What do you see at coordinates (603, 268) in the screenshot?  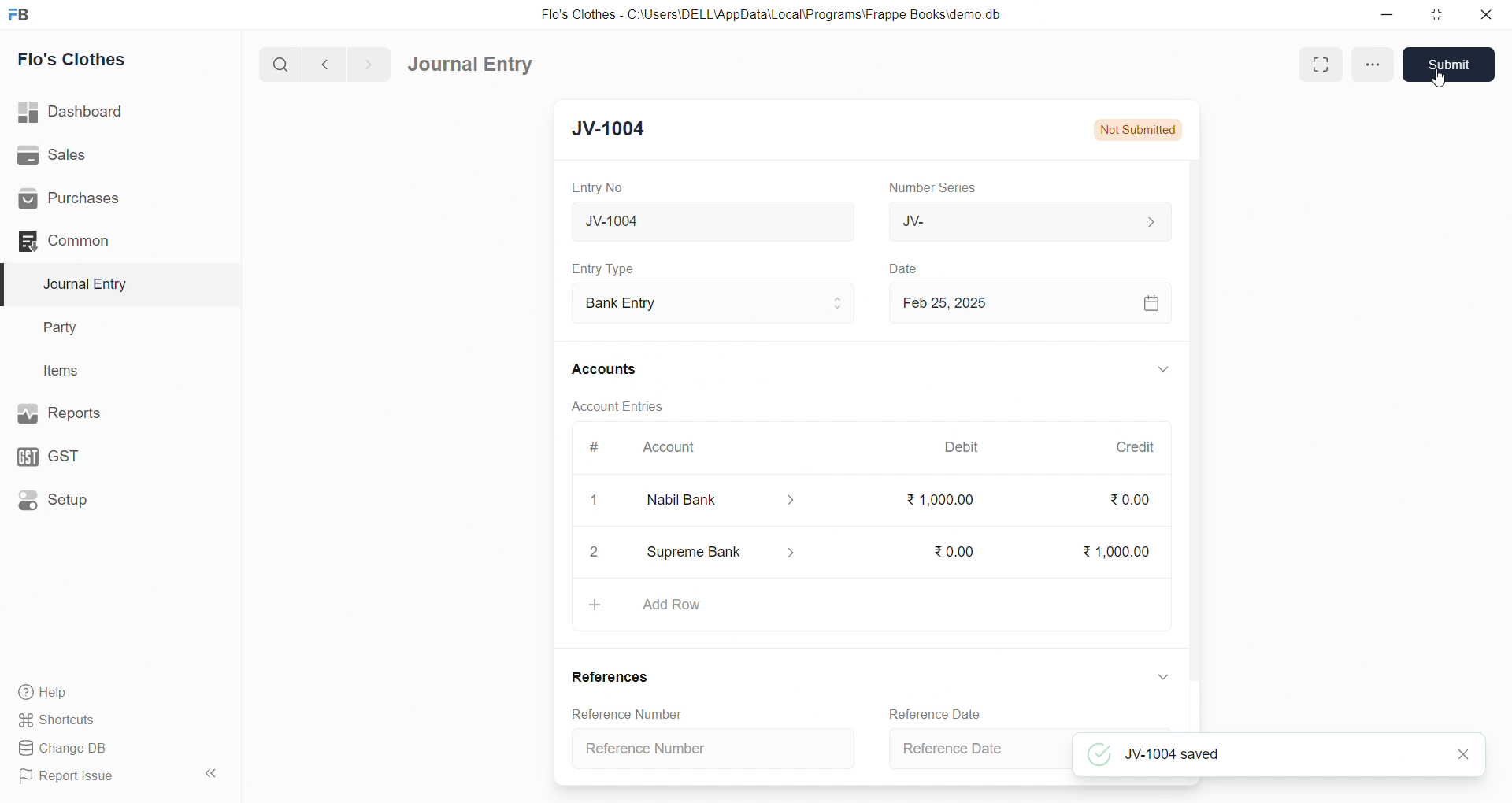 I see `Entry Type` at bounding box center [603, 268].